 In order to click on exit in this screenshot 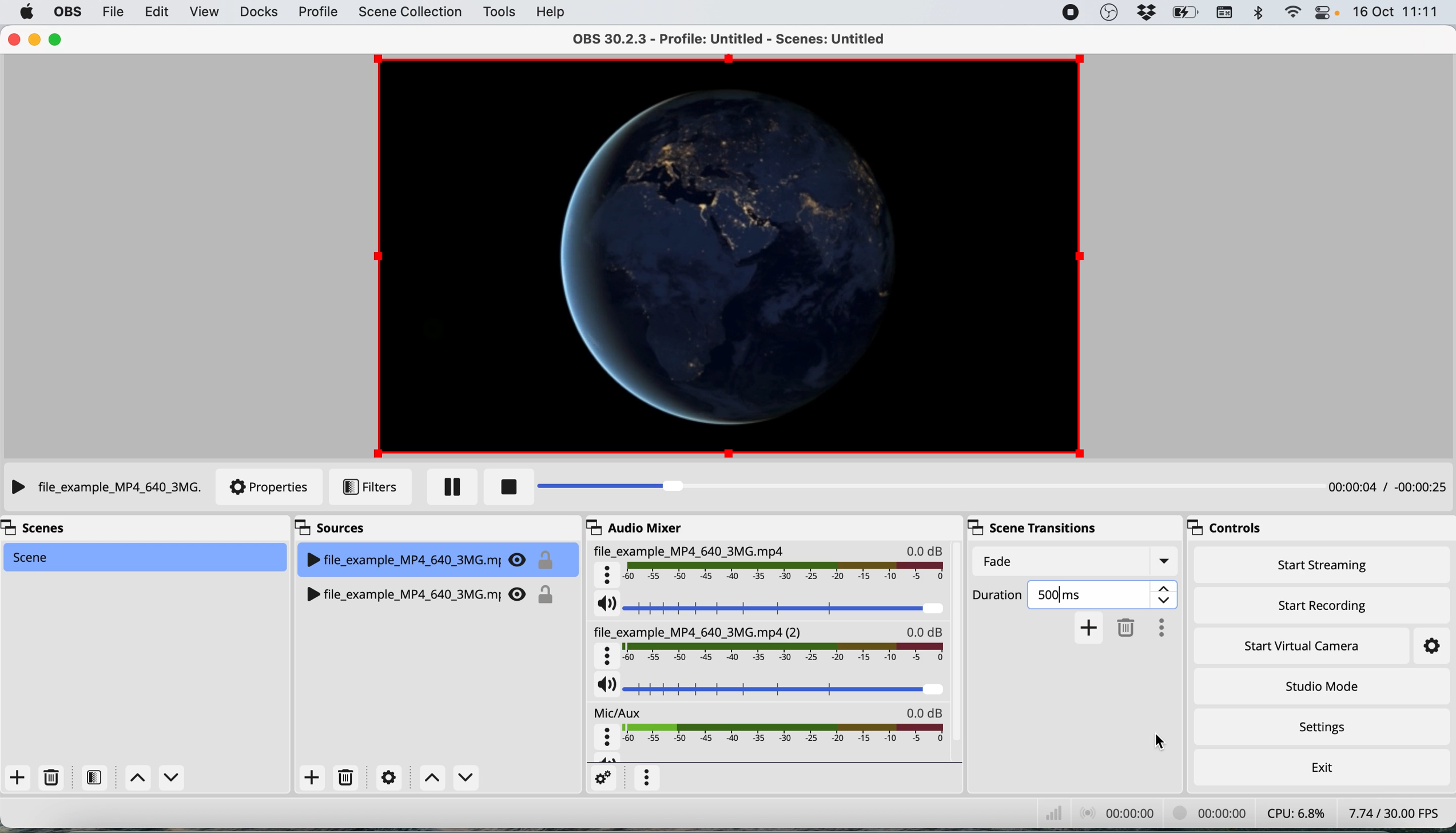, I will do `click(1320, 768)`.